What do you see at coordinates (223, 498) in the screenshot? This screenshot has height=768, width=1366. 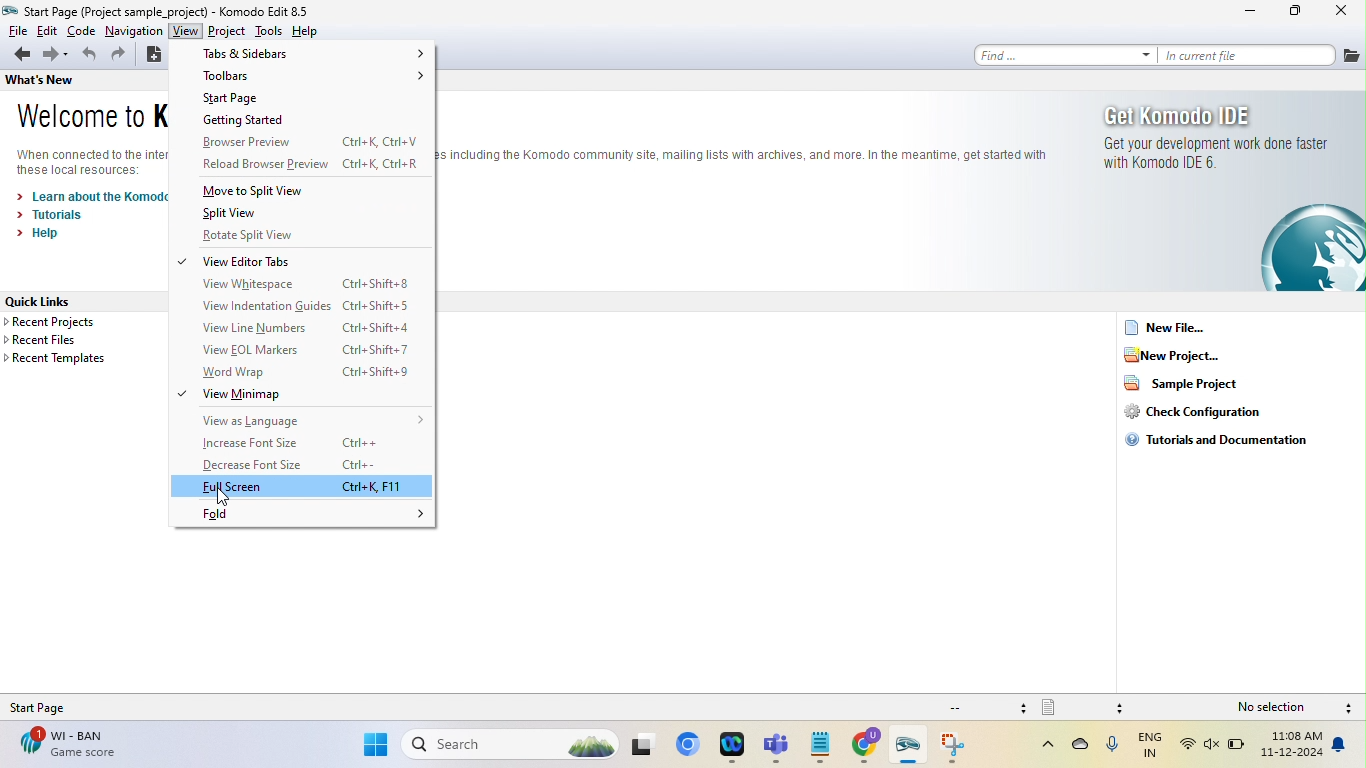 I see `cursor movement` at bounding box center [223, 498].